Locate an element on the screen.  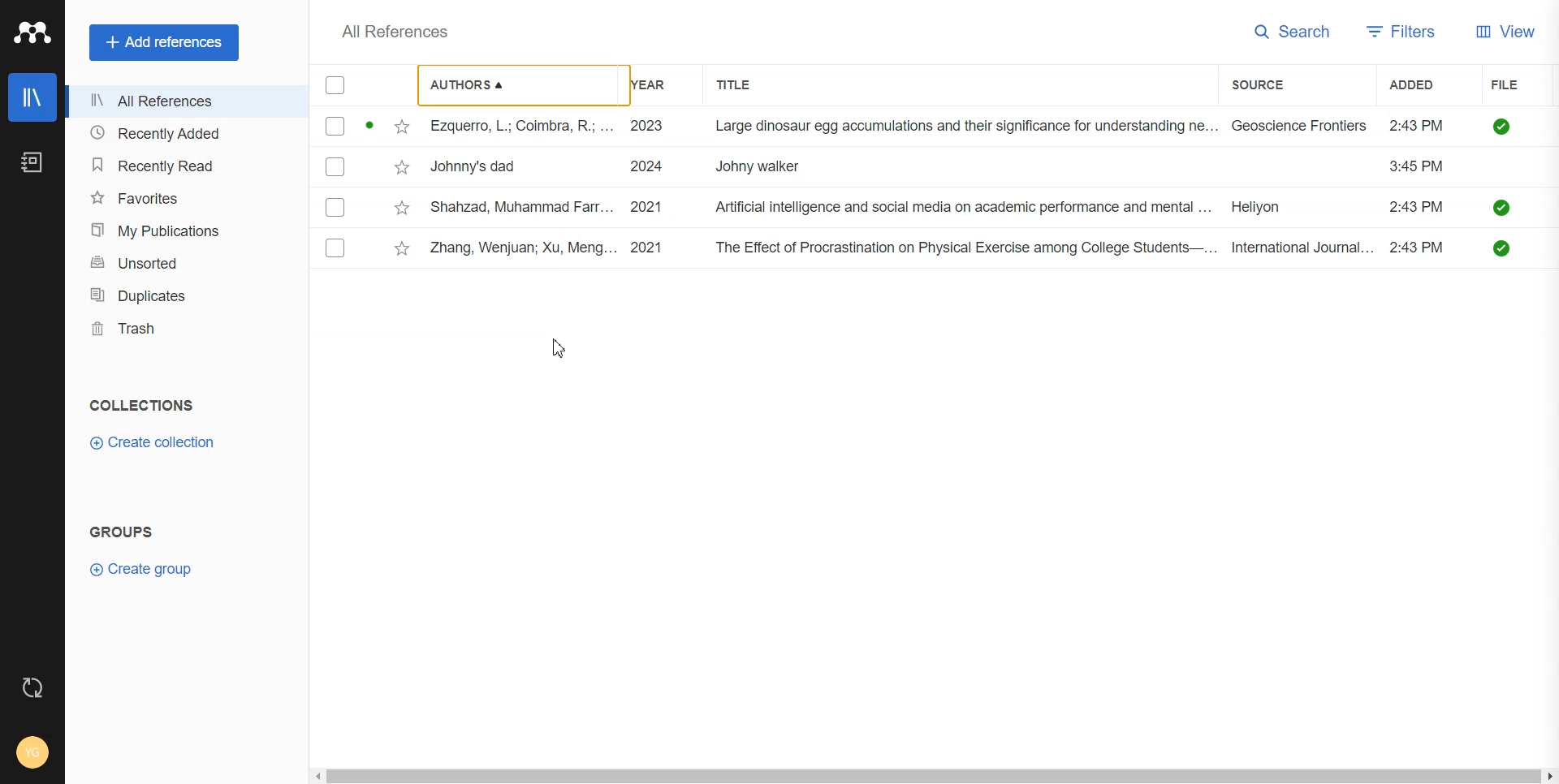
2:43 PM is located at coordinates (1418, 207).